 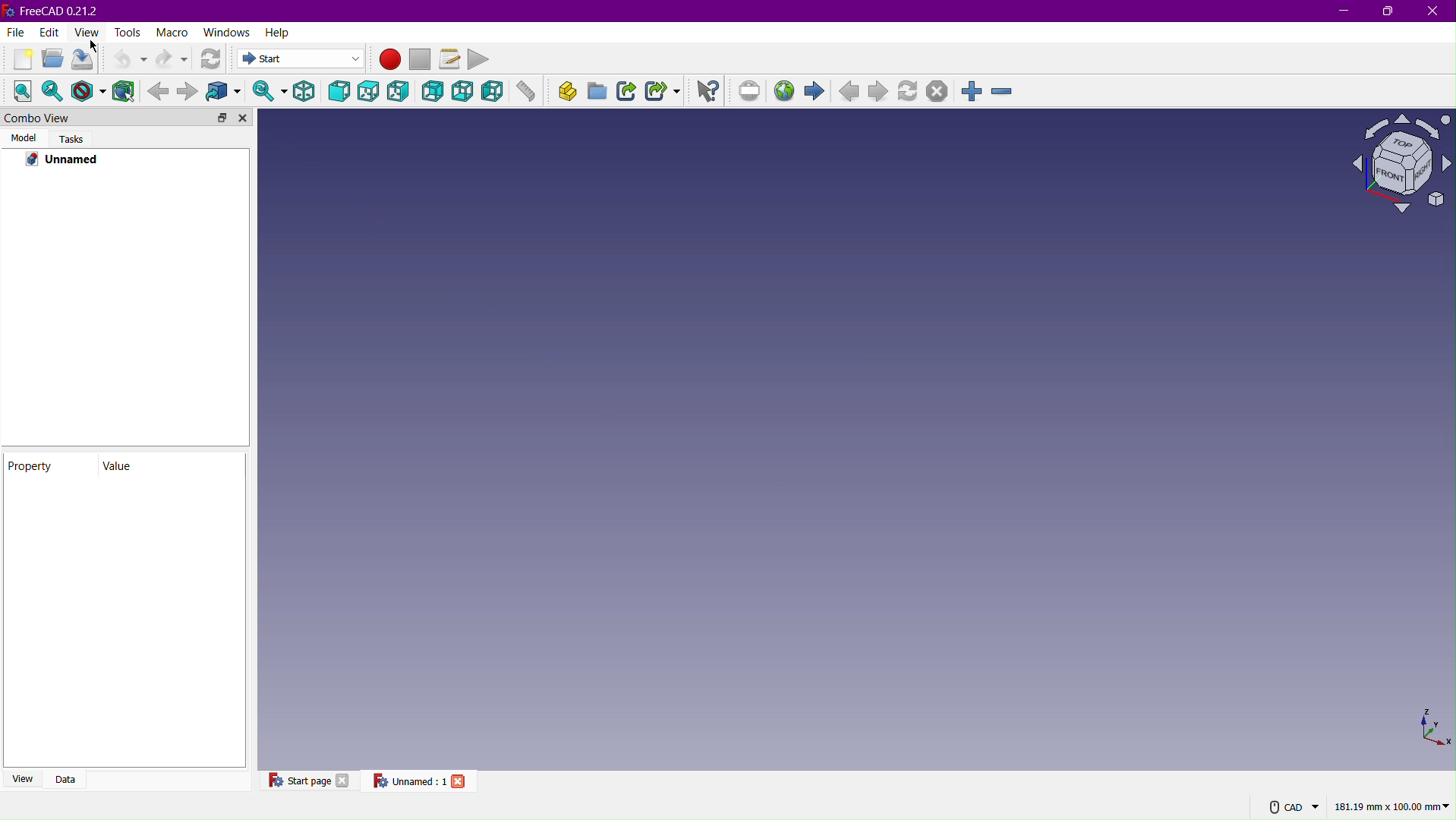 What do you see at coordinates (388, 60) in the screenshot?
I see `Macro Recording` at bounding box center [388, 60].